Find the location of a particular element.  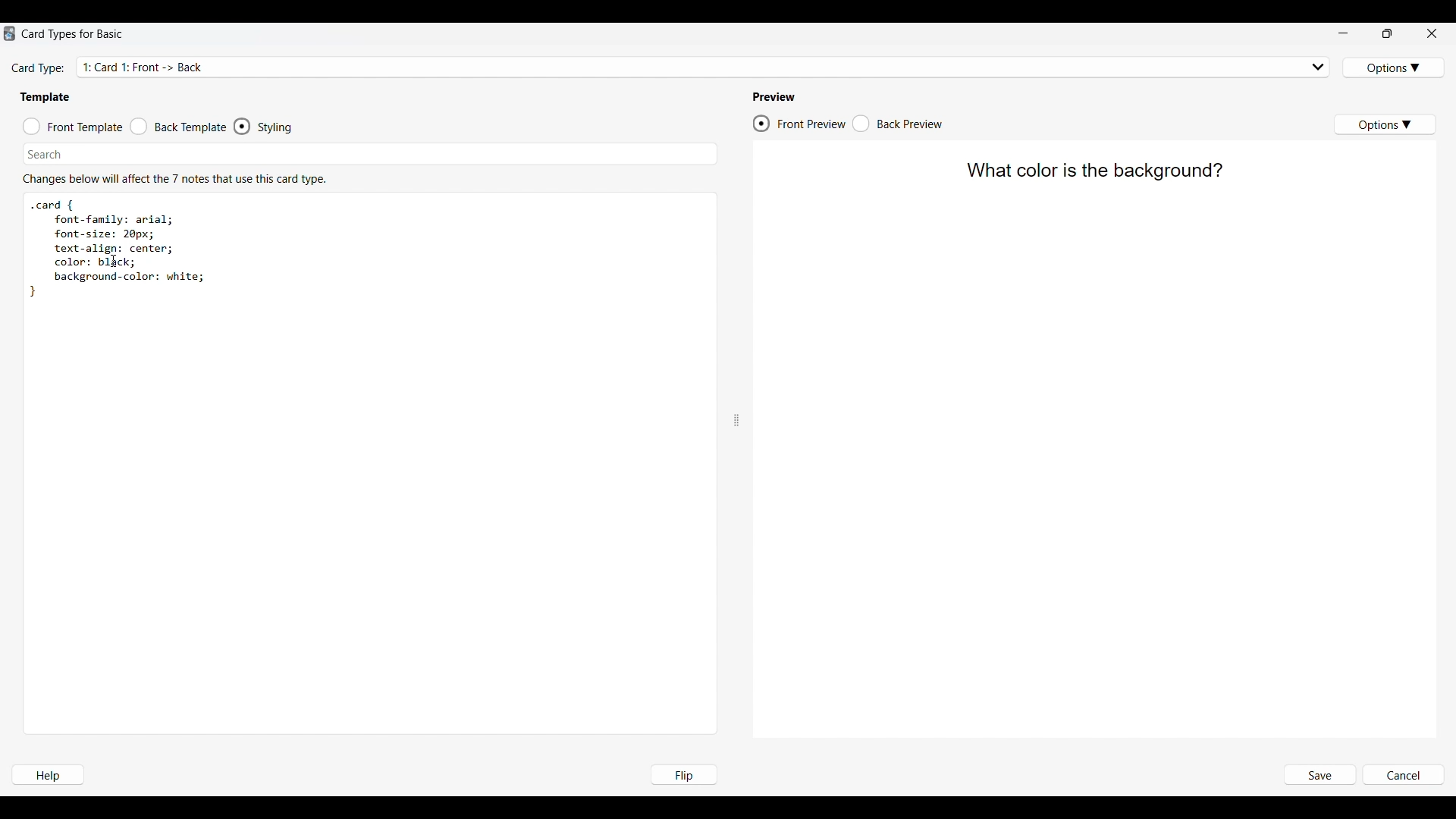

Help is located at coordinates (47, 775).